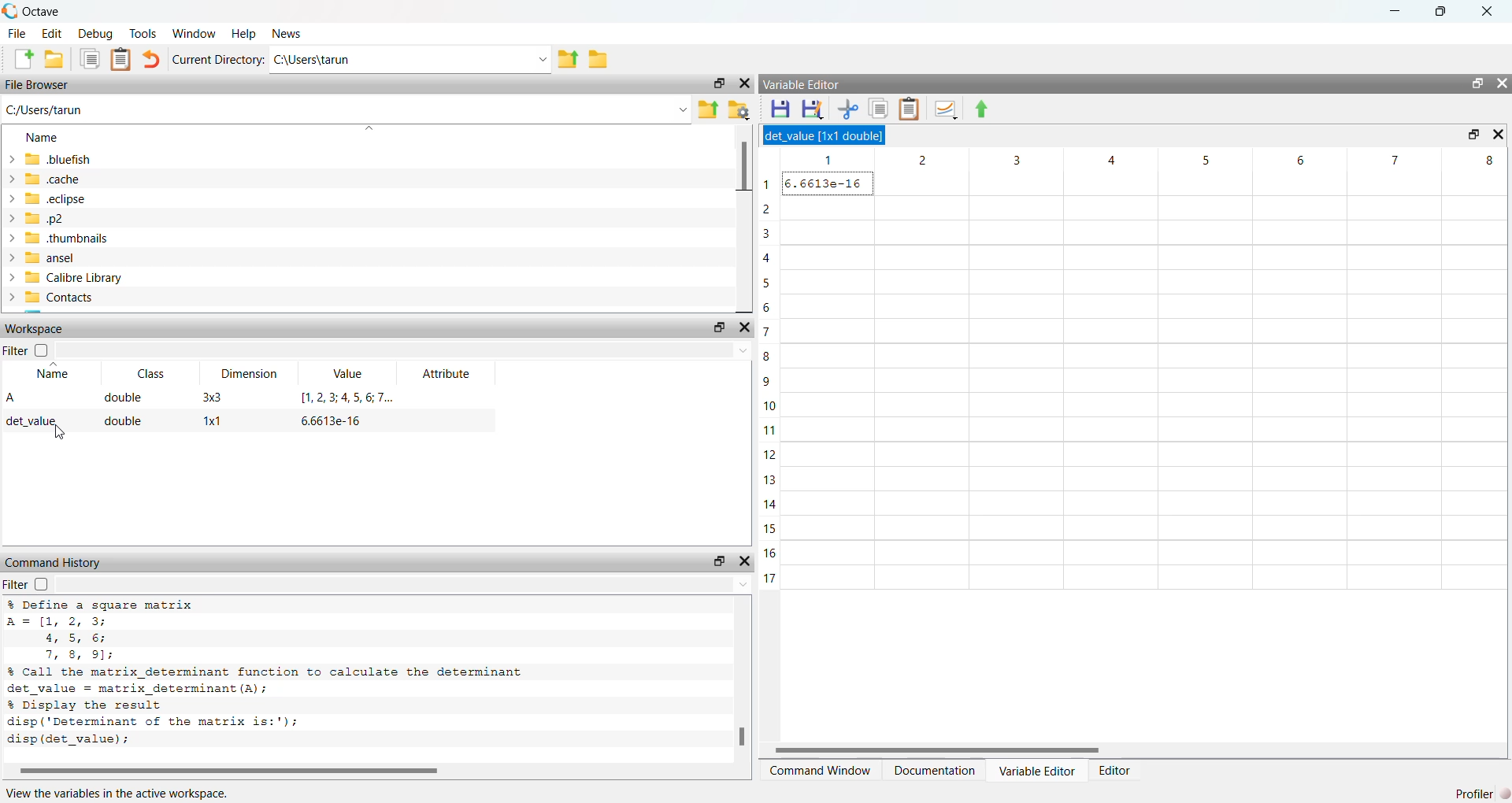 Image resolution: width=1512 pixels, height=803 pixels. What do you see at coordinates (821, 771) in the screenshot?
I see ` Command Window` at bounding box center [821, 771].